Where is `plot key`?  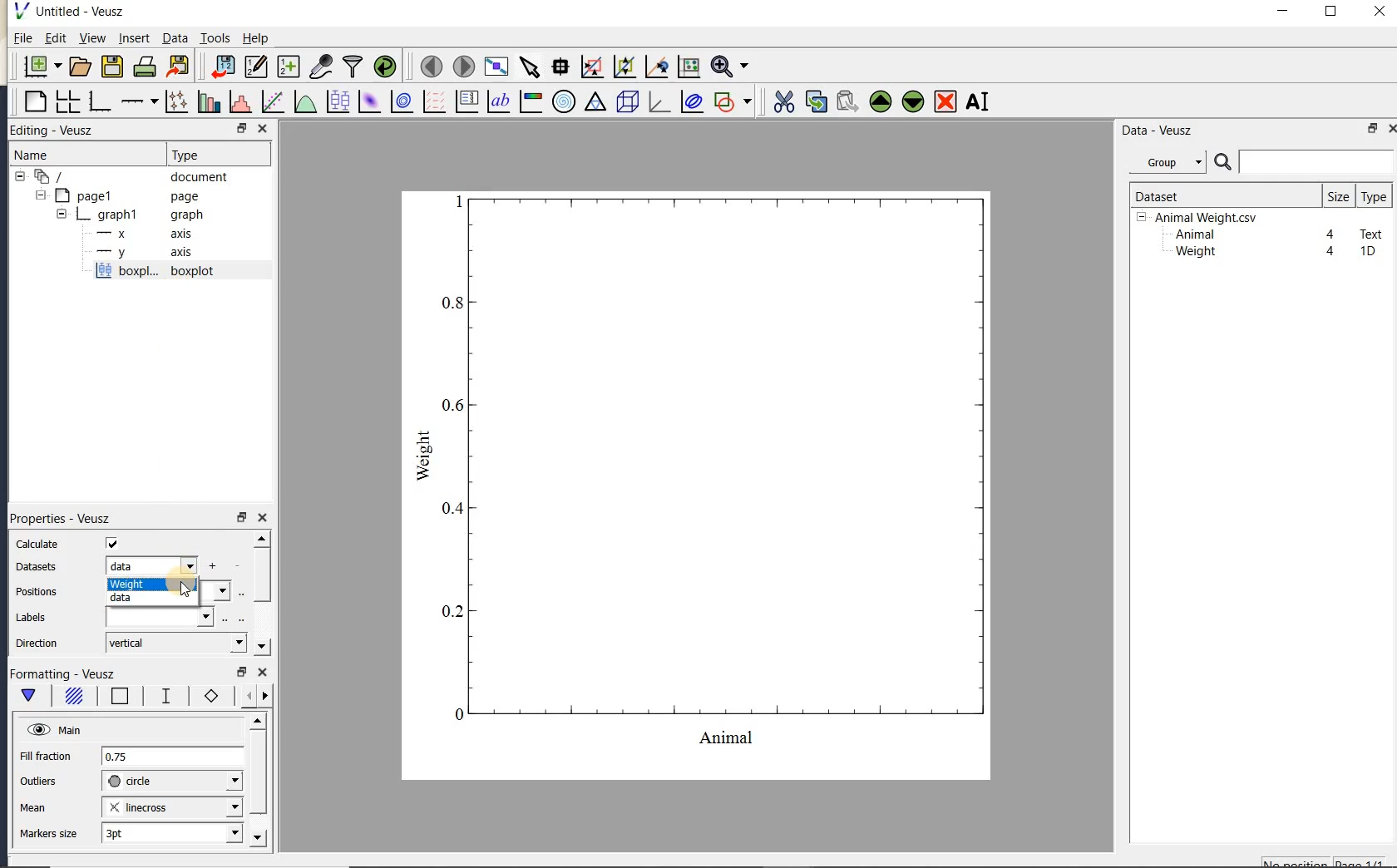 plot key is located at coordinates (465, 101).